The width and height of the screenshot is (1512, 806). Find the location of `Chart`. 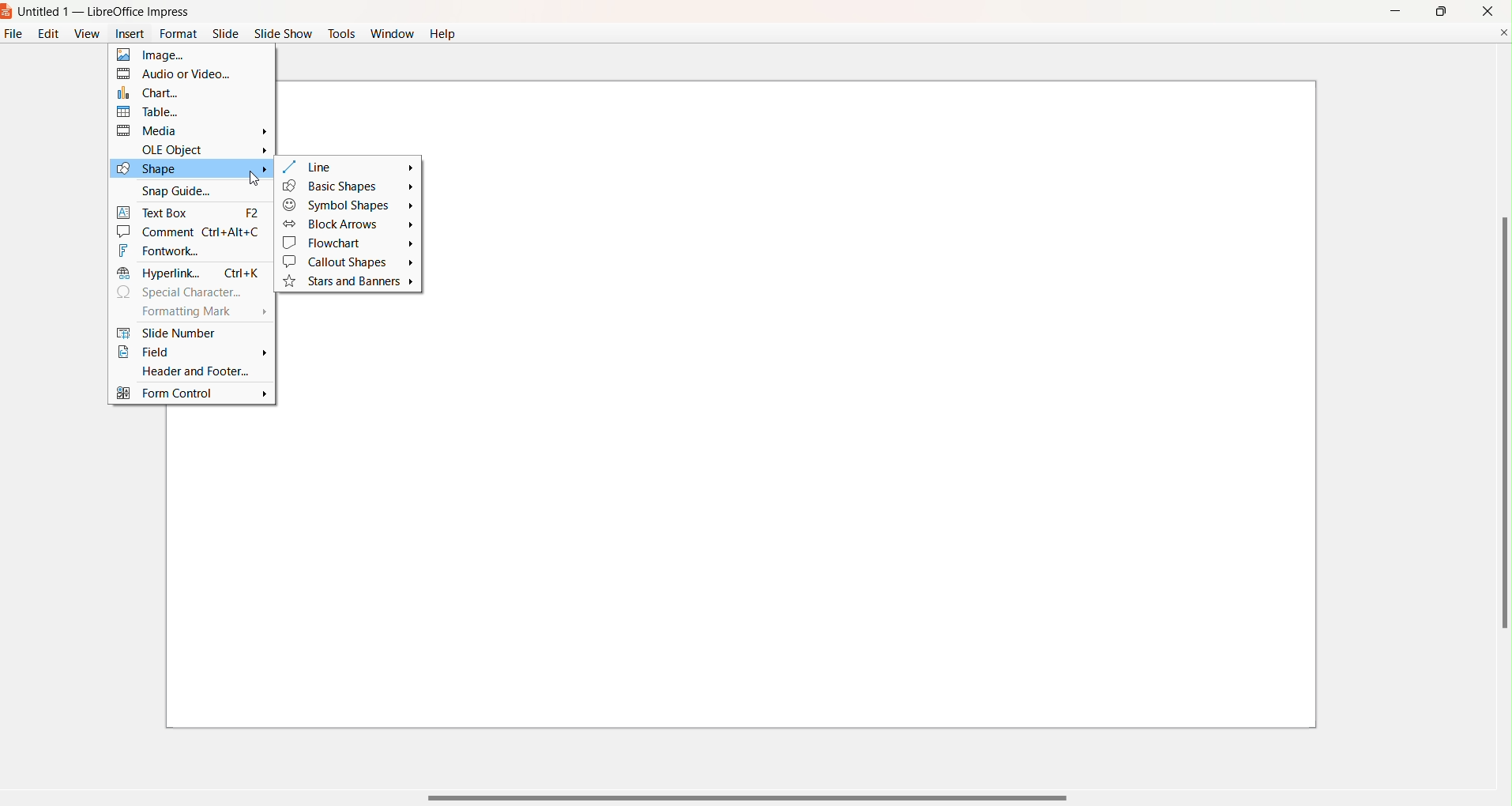

Chart is located at coordinates (182, 92).